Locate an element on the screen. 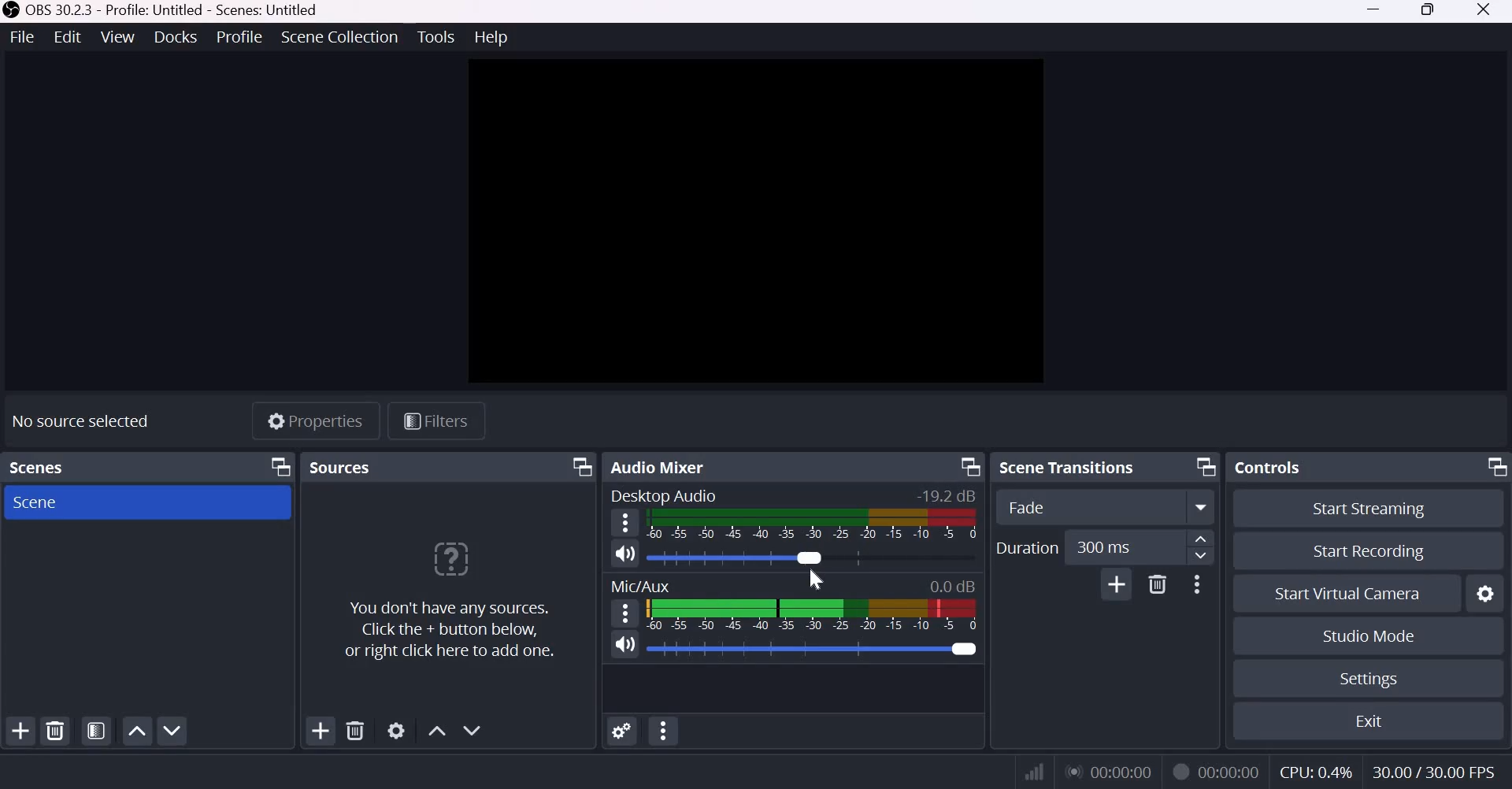 This screenshot has height=789, width=1512. Mic/Aux is located at coordinates (640, 584).